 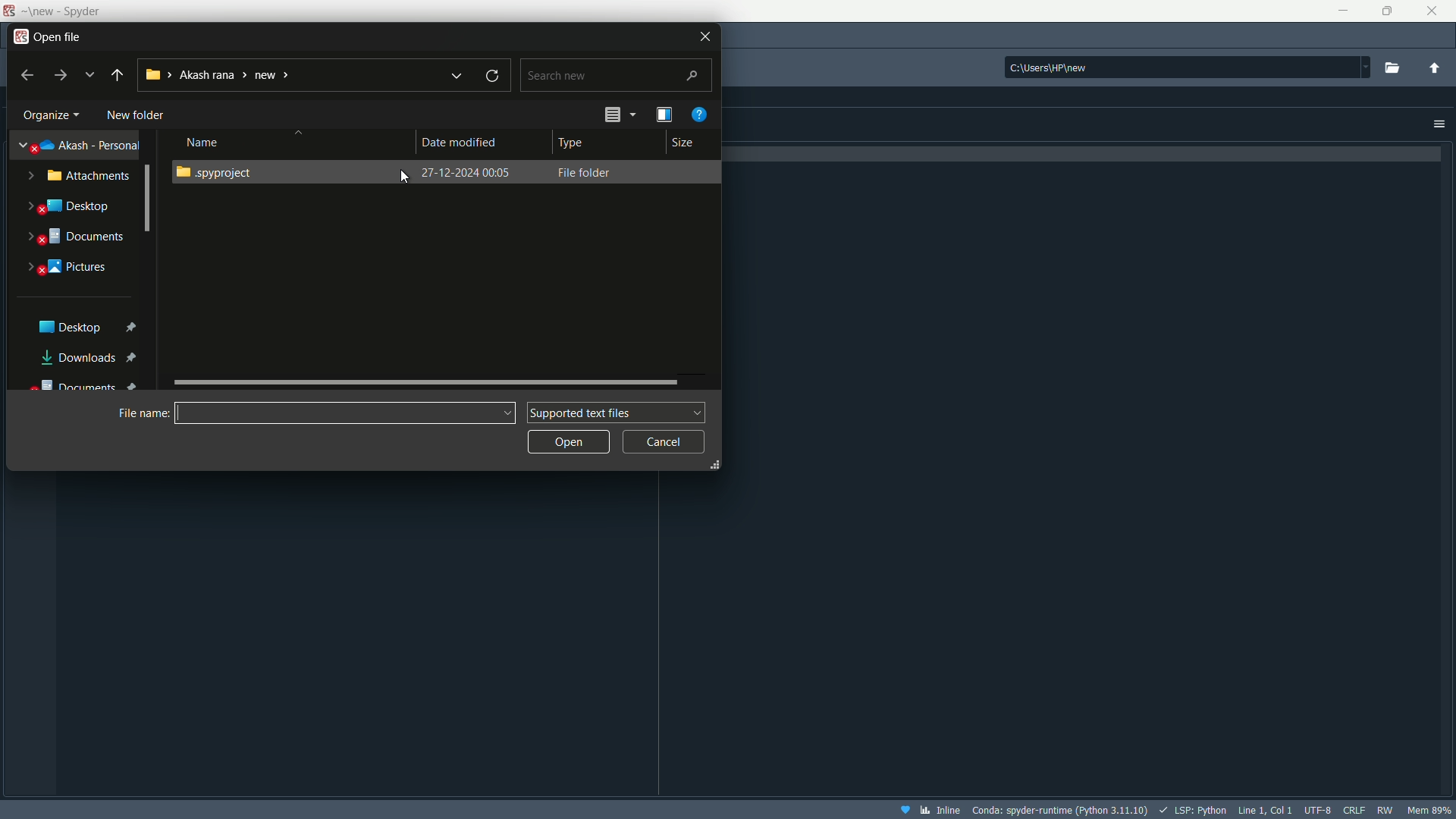 I want to click on Documnets, so click(x=75, y=237).